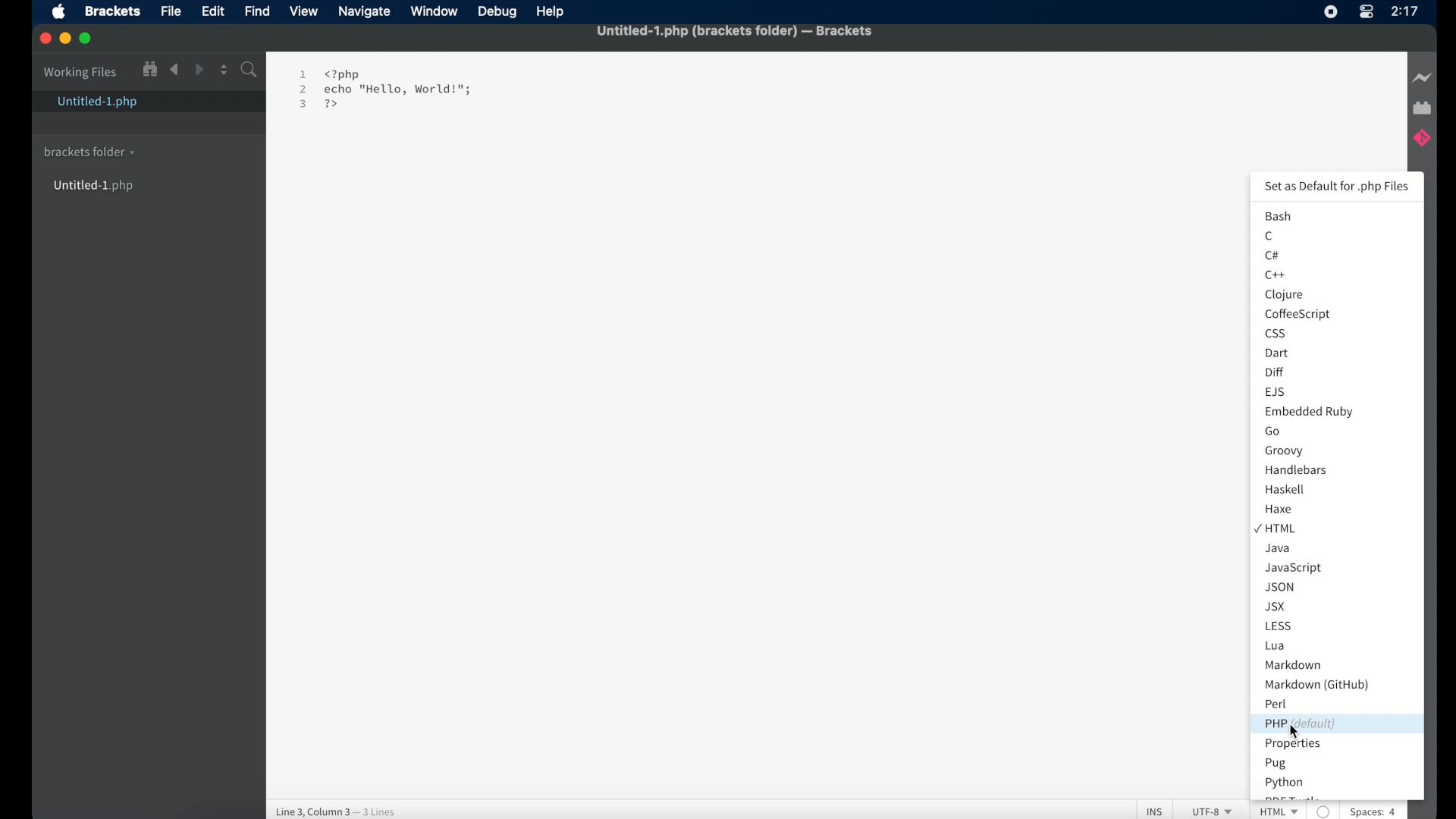  I want to click on html, so click(1275, 527).